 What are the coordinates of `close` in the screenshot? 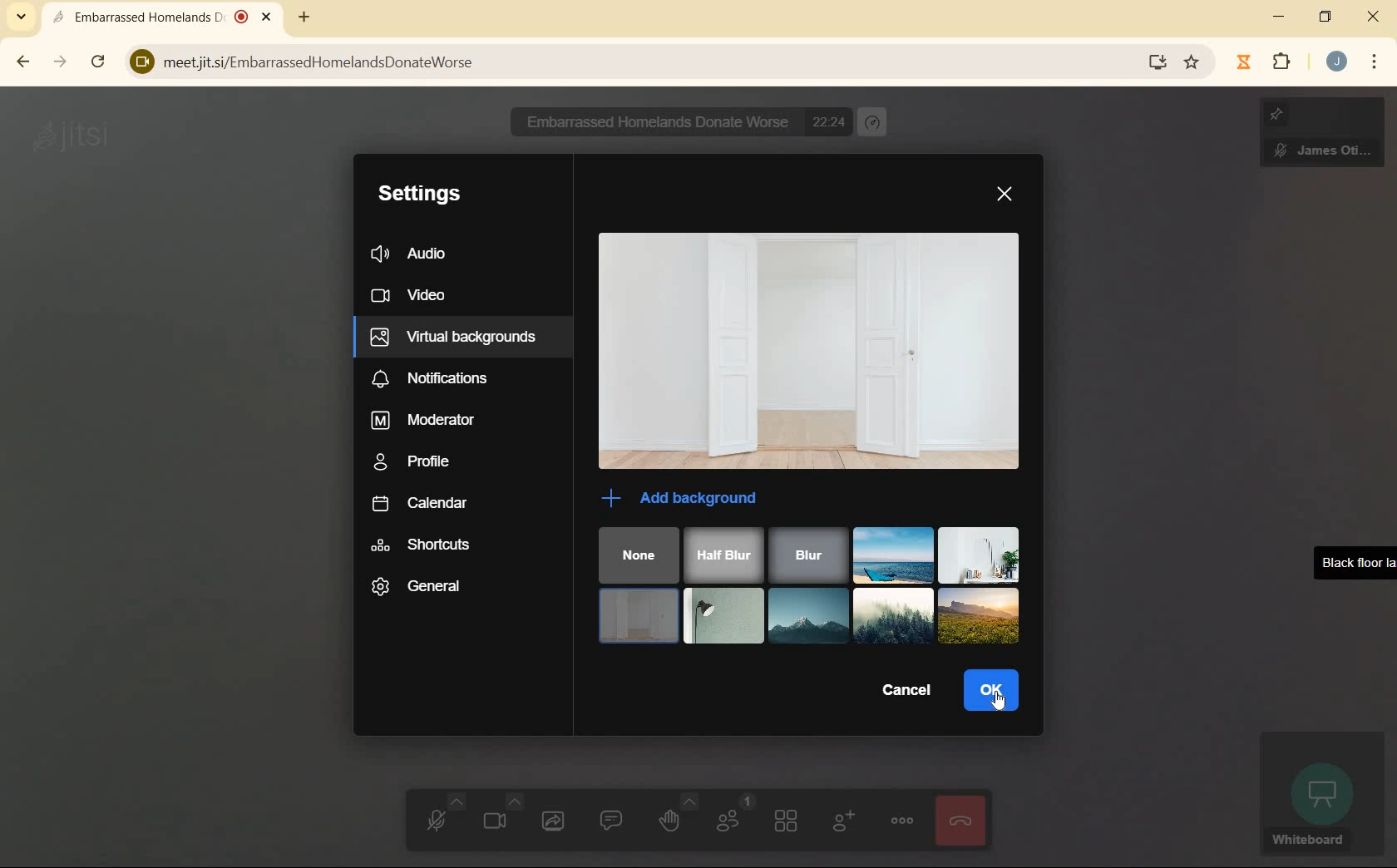 It's located at (1008, 195).